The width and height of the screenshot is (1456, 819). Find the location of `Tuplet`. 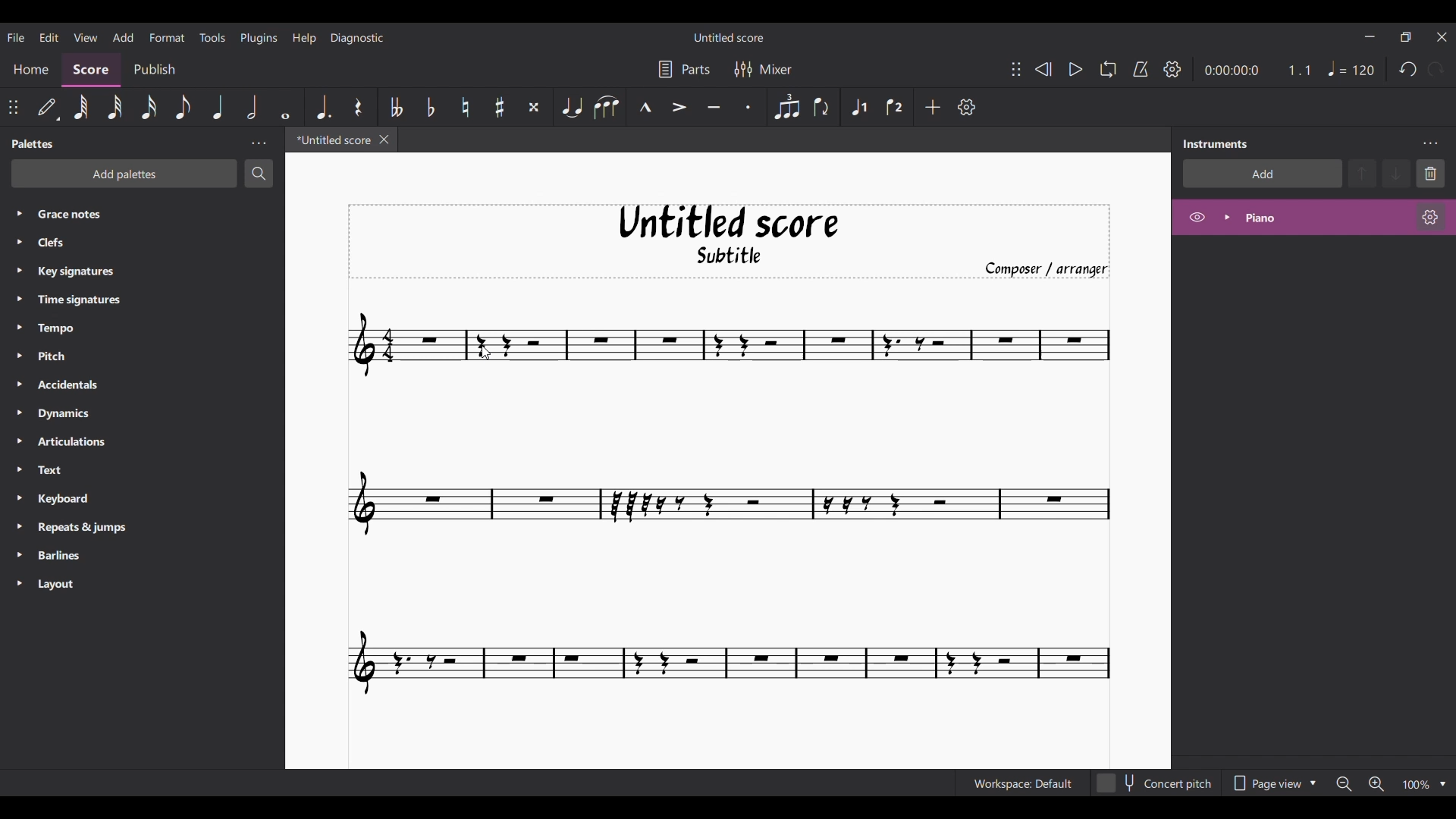

Tuplet is located at coordinates (787, 107).